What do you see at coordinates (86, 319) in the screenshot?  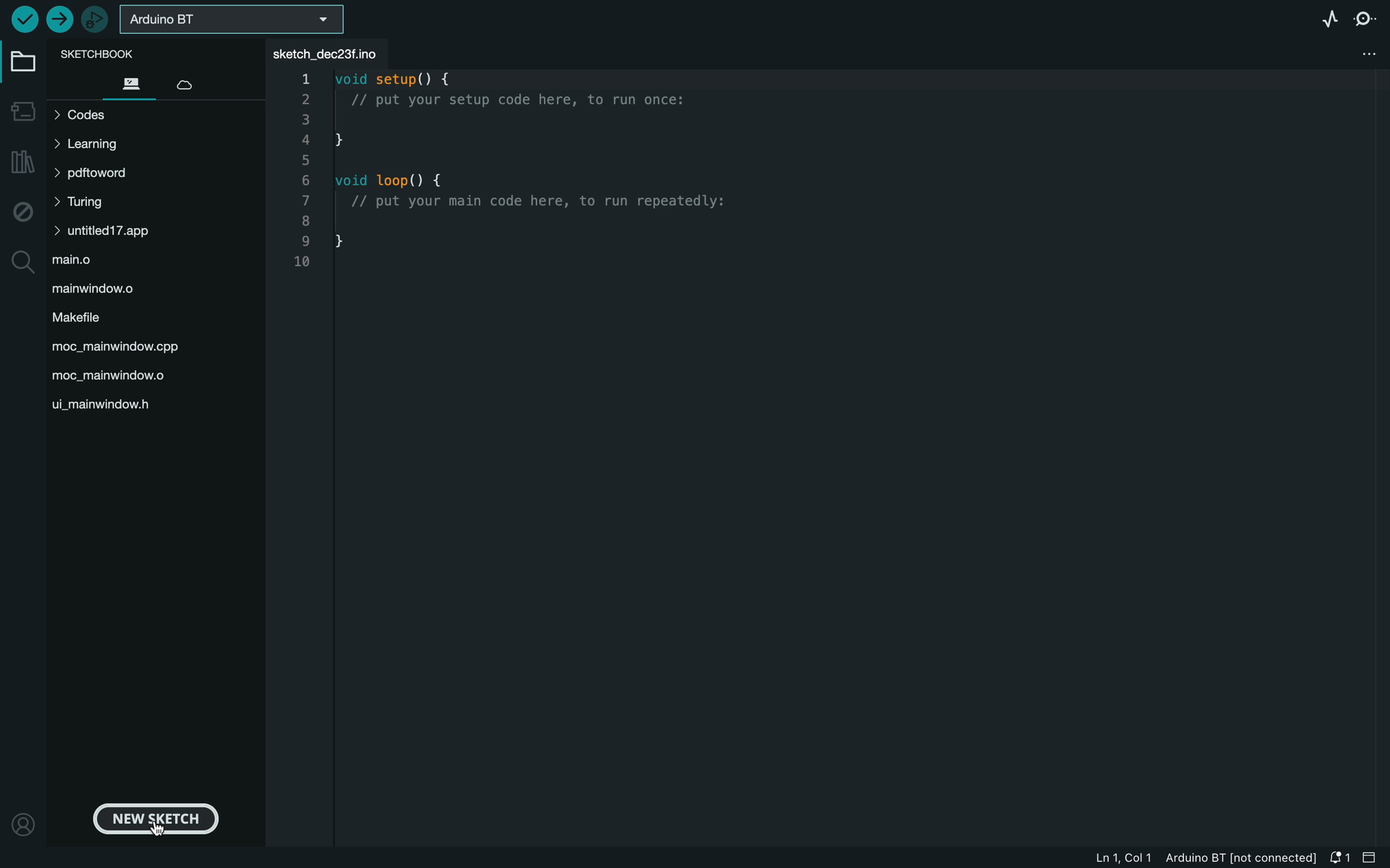 I see `makefile` at bounding box center [86, 319].